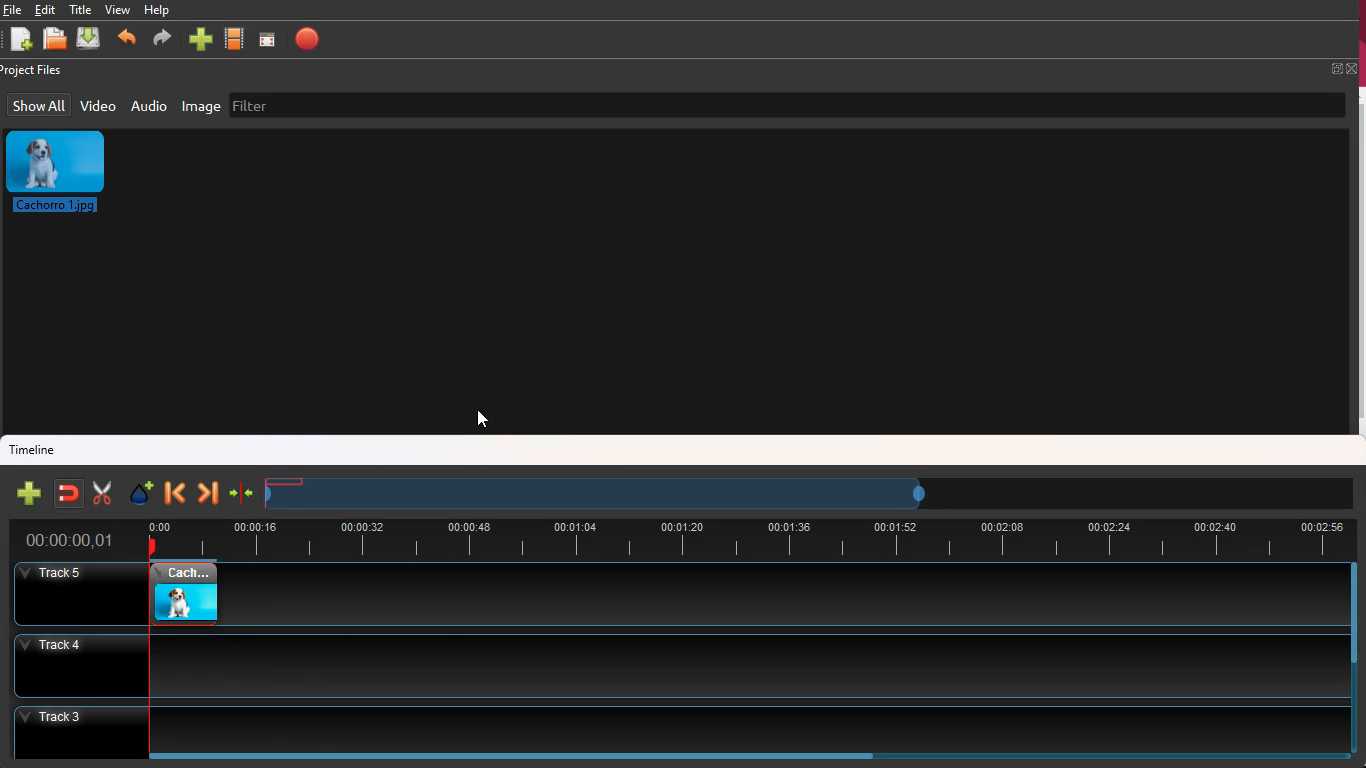 The height and width of the screenshot is (768, 1366). Describe the element at coordinates (81, 9) in the screenshot. I see `title` at that location.